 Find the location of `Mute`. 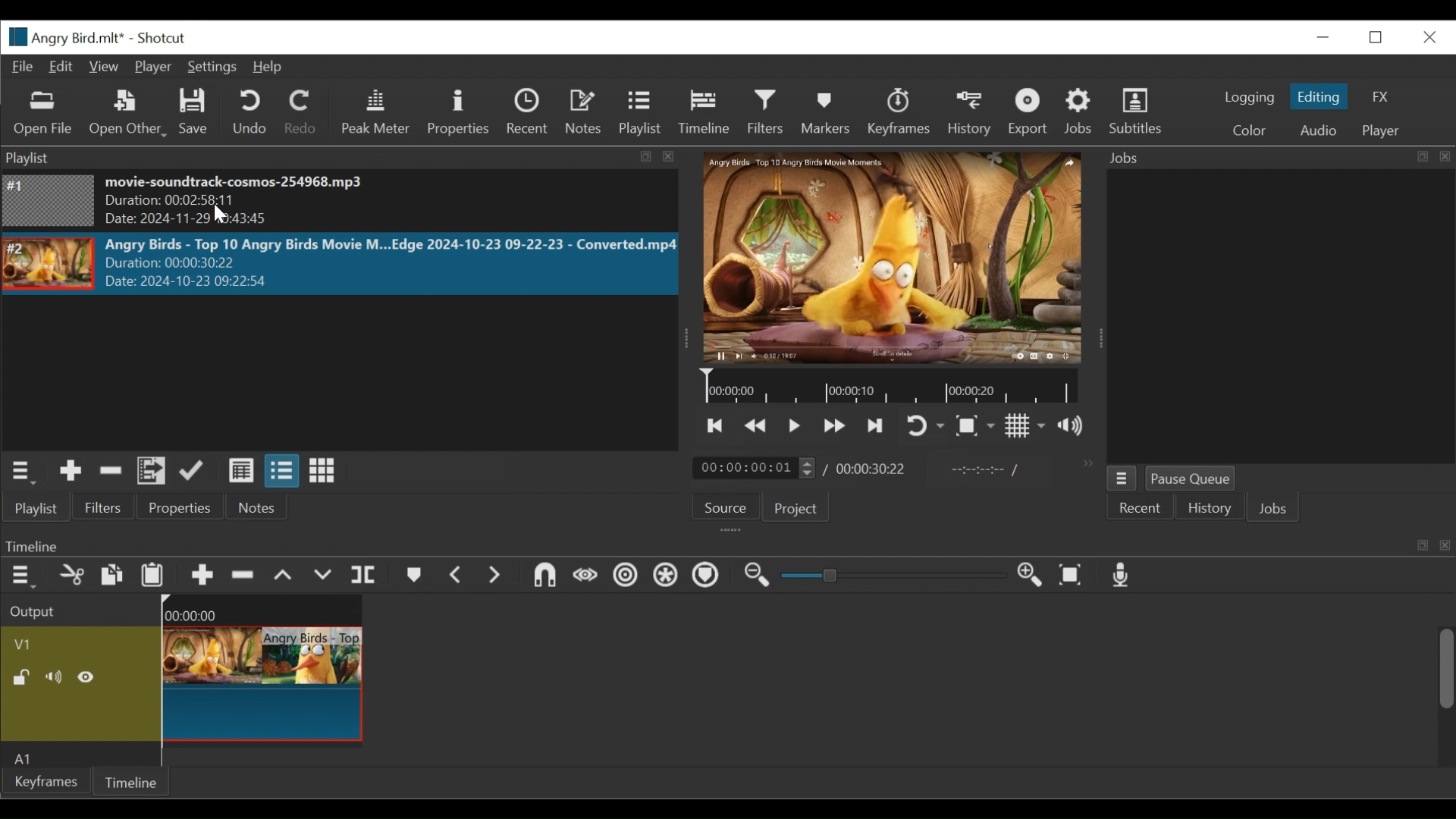

Mute is located at coordinates (56, 676).